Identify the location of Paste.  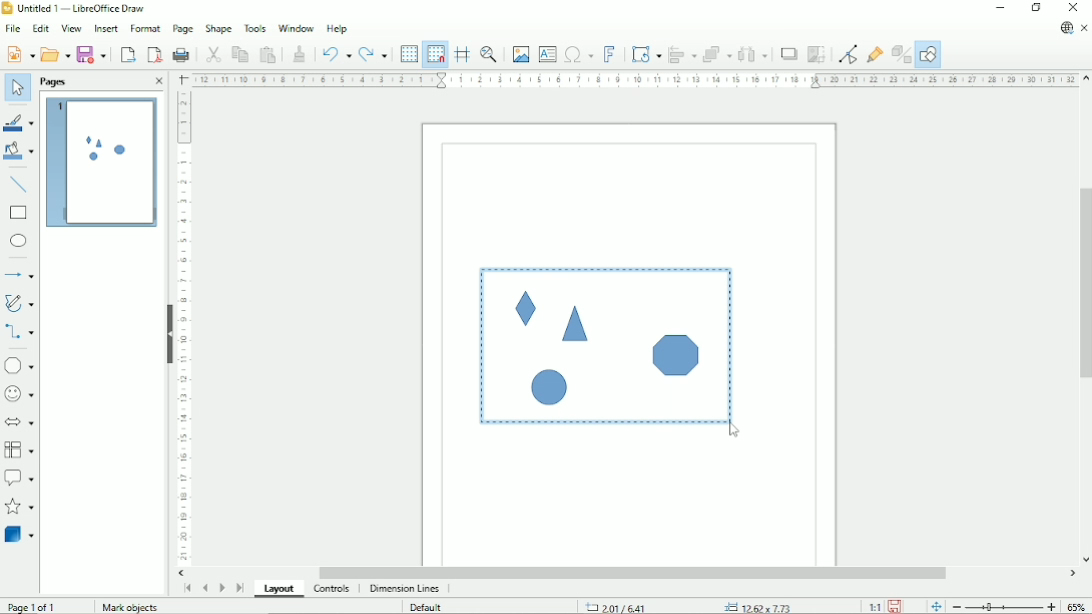
(268, 54).